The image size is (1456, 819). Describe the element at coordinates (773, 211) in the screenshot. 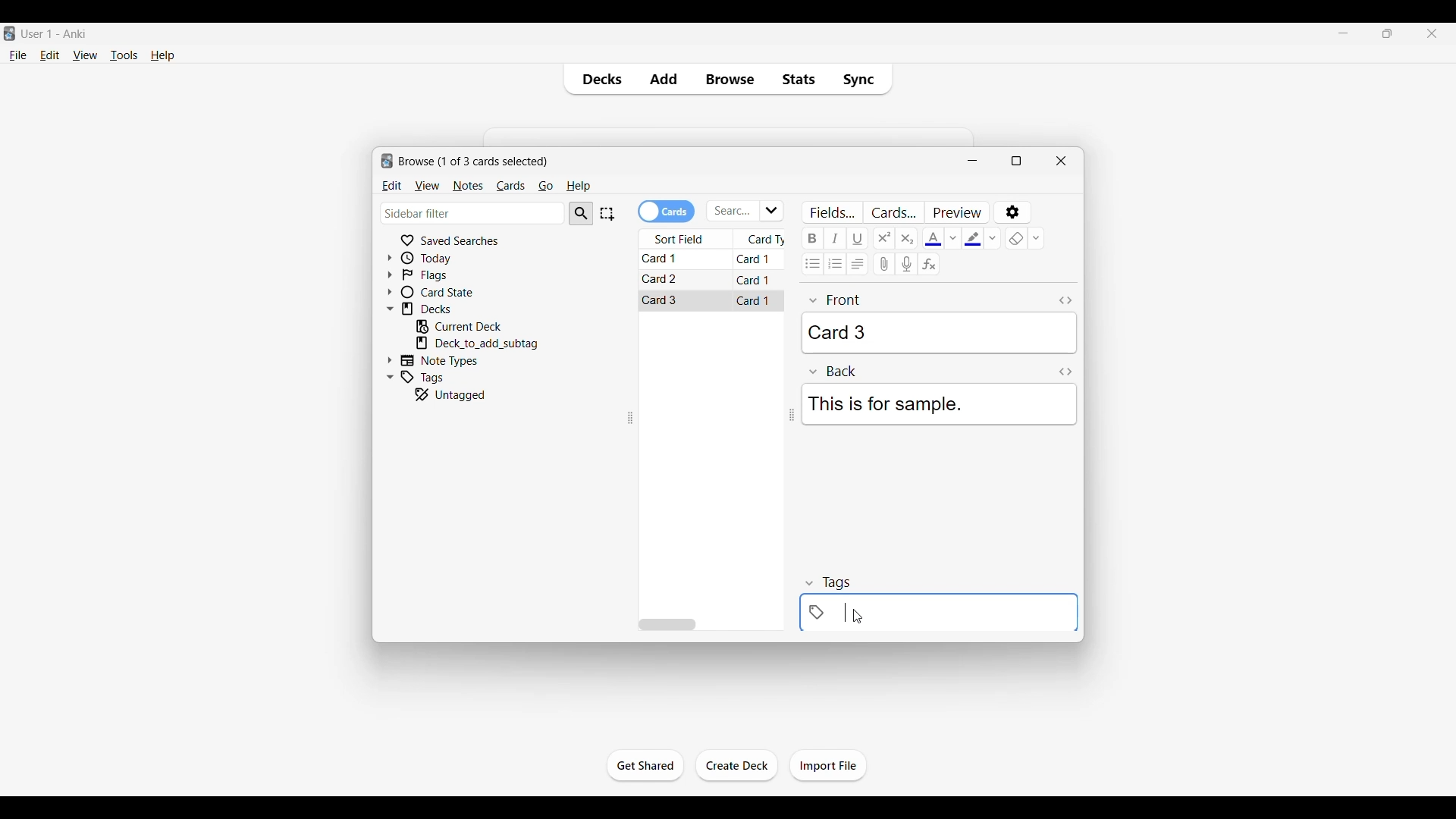

I see `Click to see list` at that location.